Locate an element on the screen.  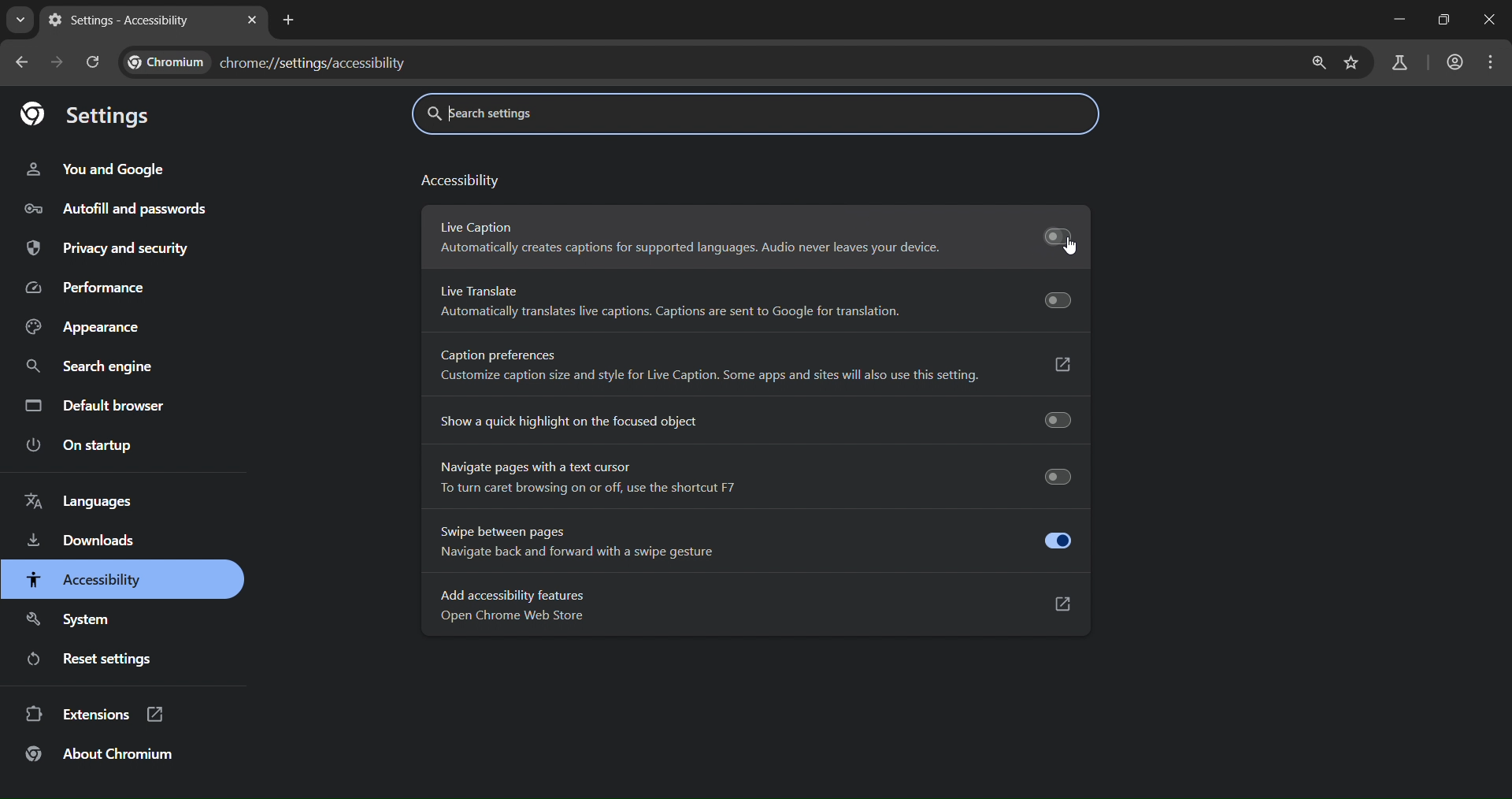
restore down is located at coordinates (1447, 19).